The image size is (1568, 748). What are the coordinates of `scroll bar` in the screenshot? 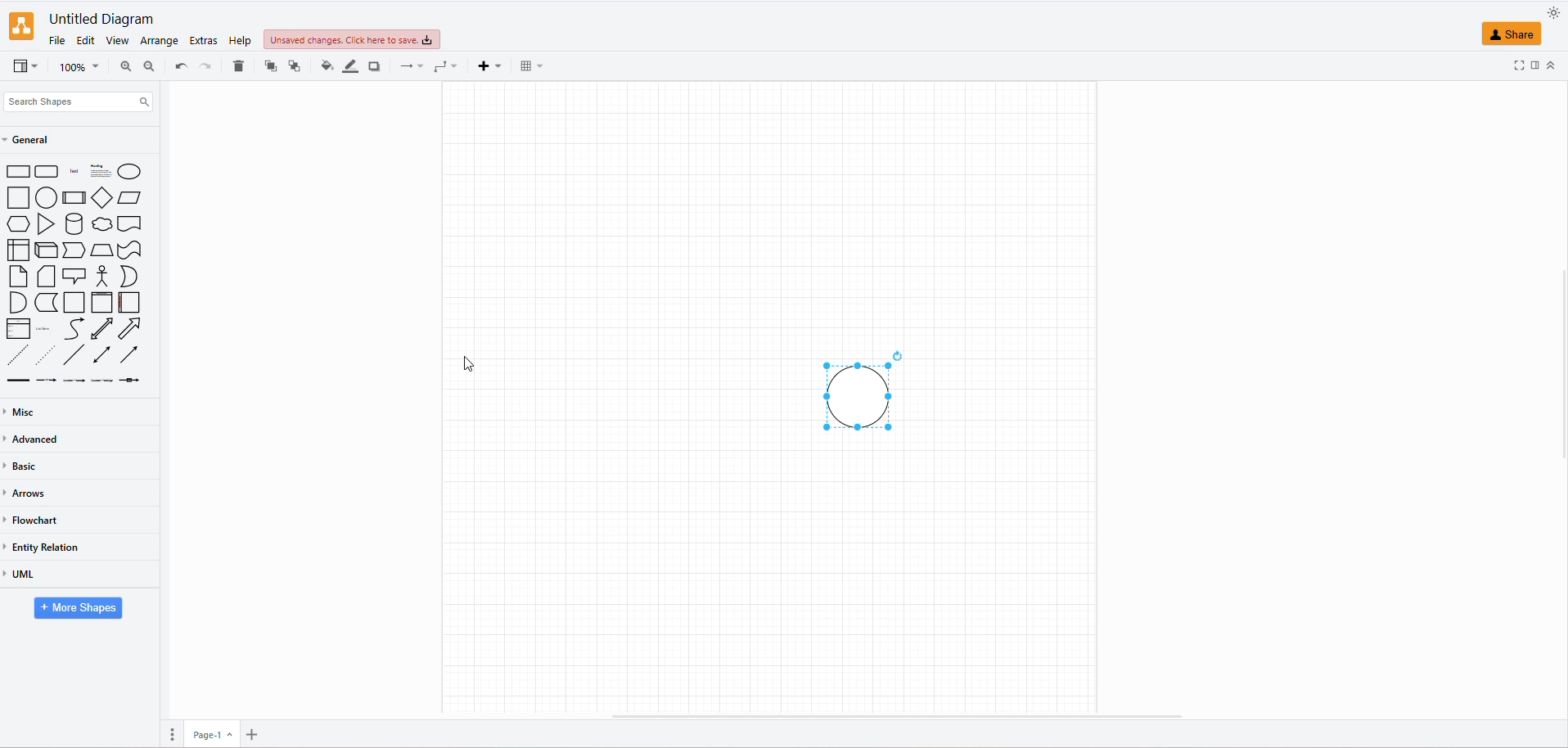 It's located at (902, 716).